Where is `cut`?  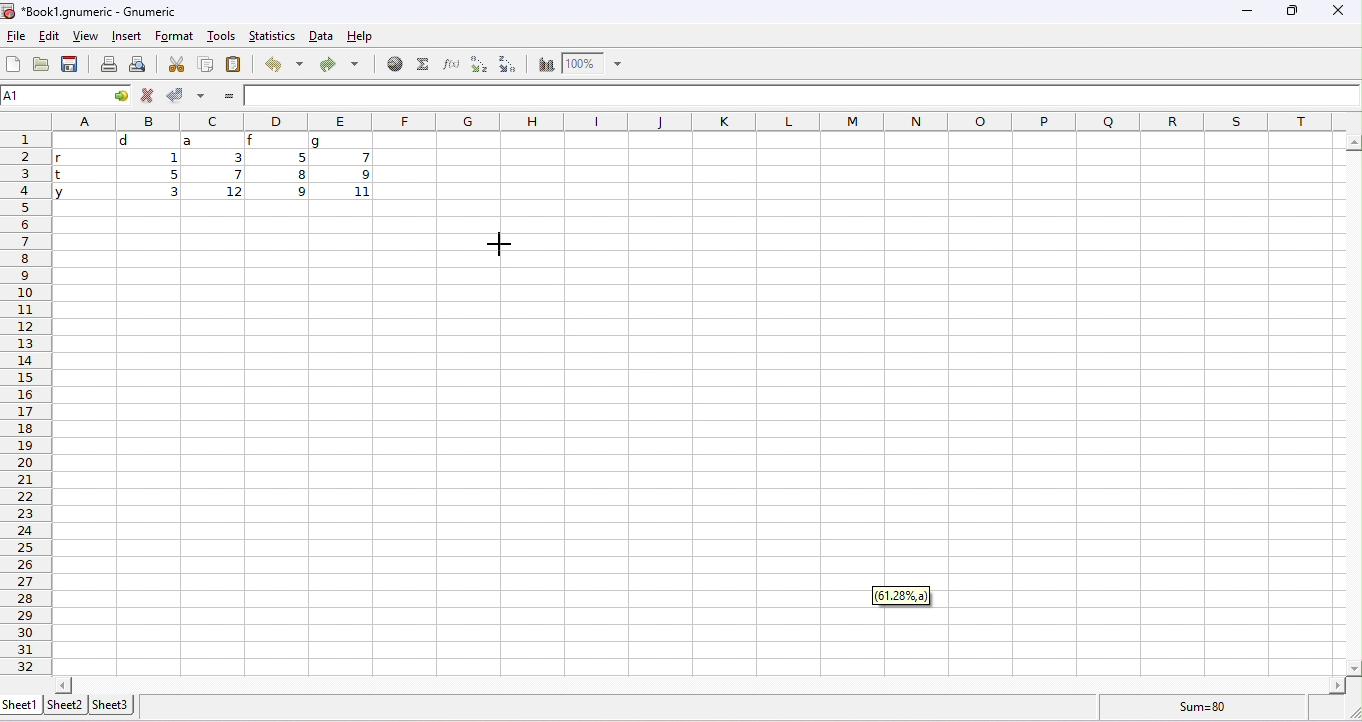
cut is located at coordinates (179, 64).